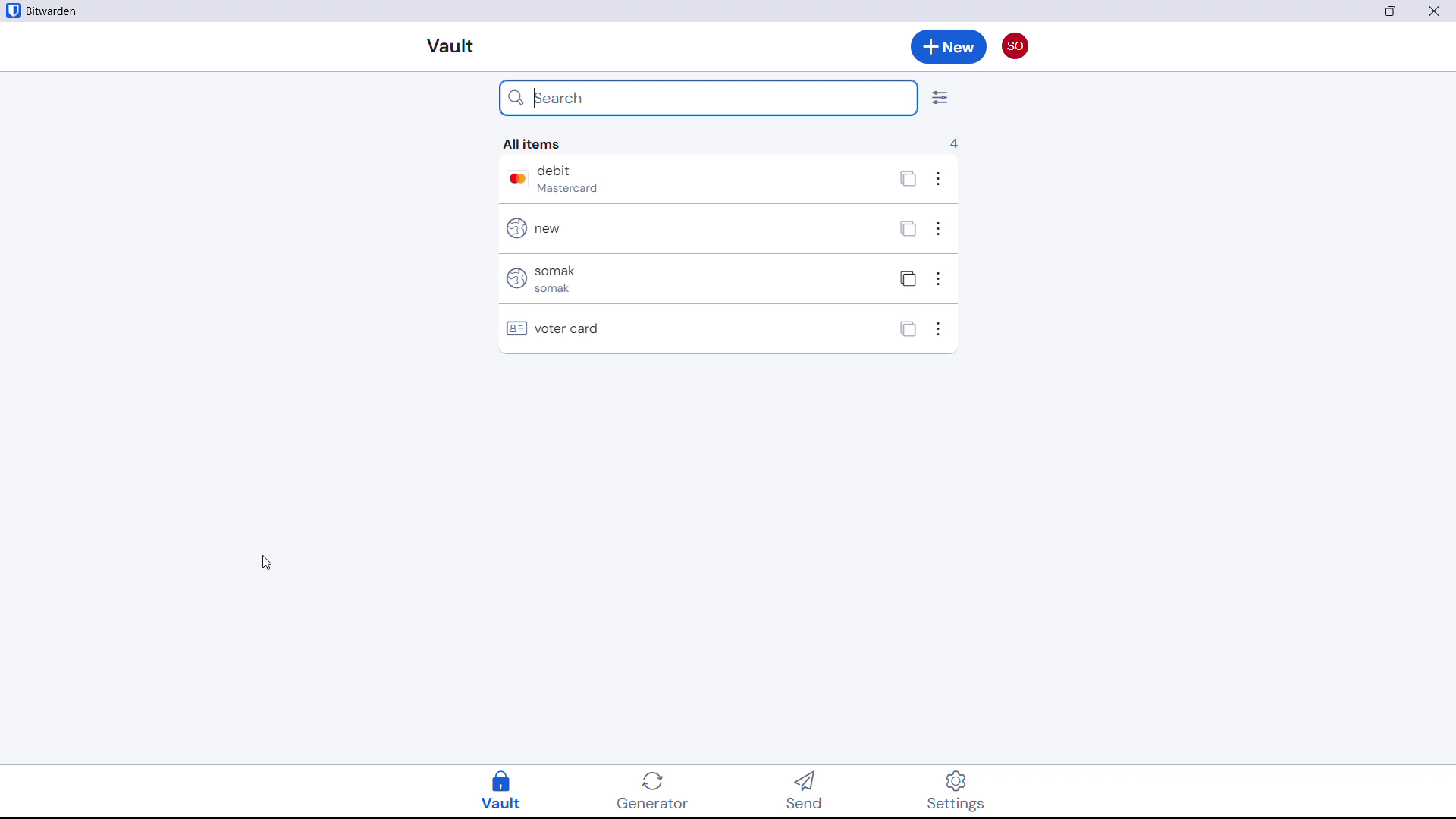 The height and width of the screenshot is (819, 1456). Describe the element at coordinates (702, 180) in the screenshot. I see `Item: Debit mastercard` at that location.